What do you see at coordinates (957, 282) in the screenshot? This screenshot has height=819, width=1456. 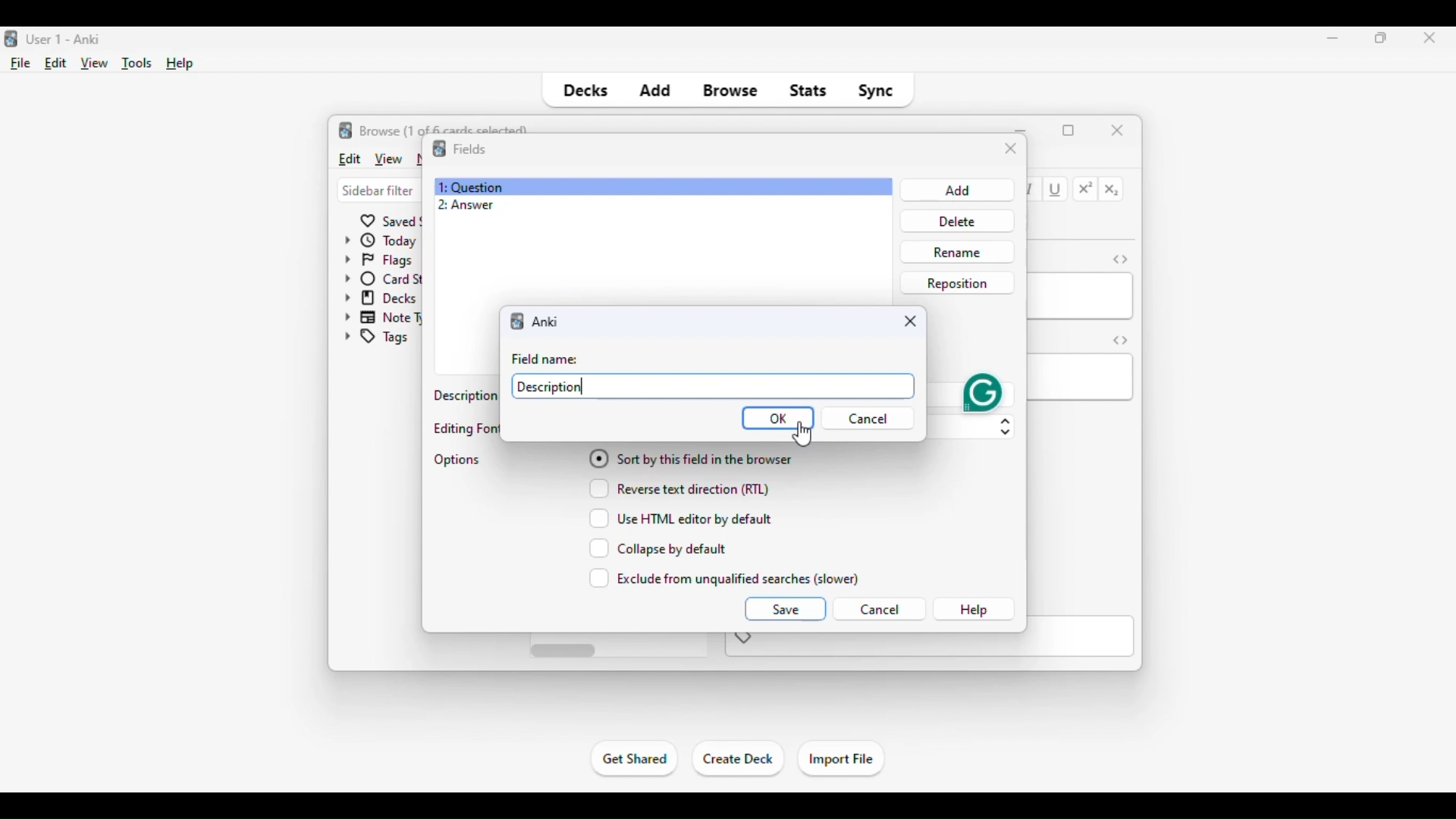 I see `reposition` at bounding box center [957, 282].